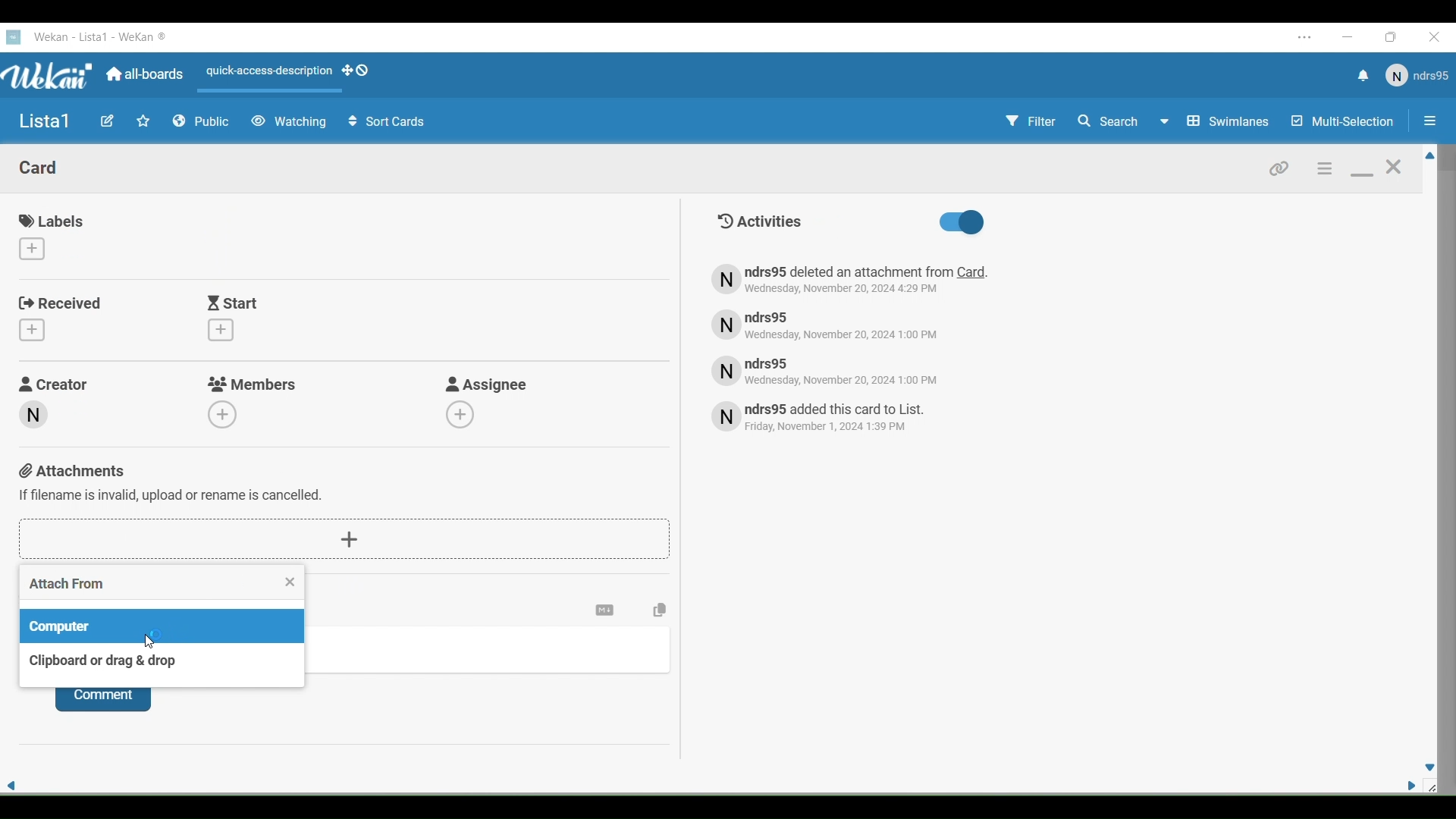 This screenshot has width=1456, height=819. I want to click on Add assignee, so click(460, 414).